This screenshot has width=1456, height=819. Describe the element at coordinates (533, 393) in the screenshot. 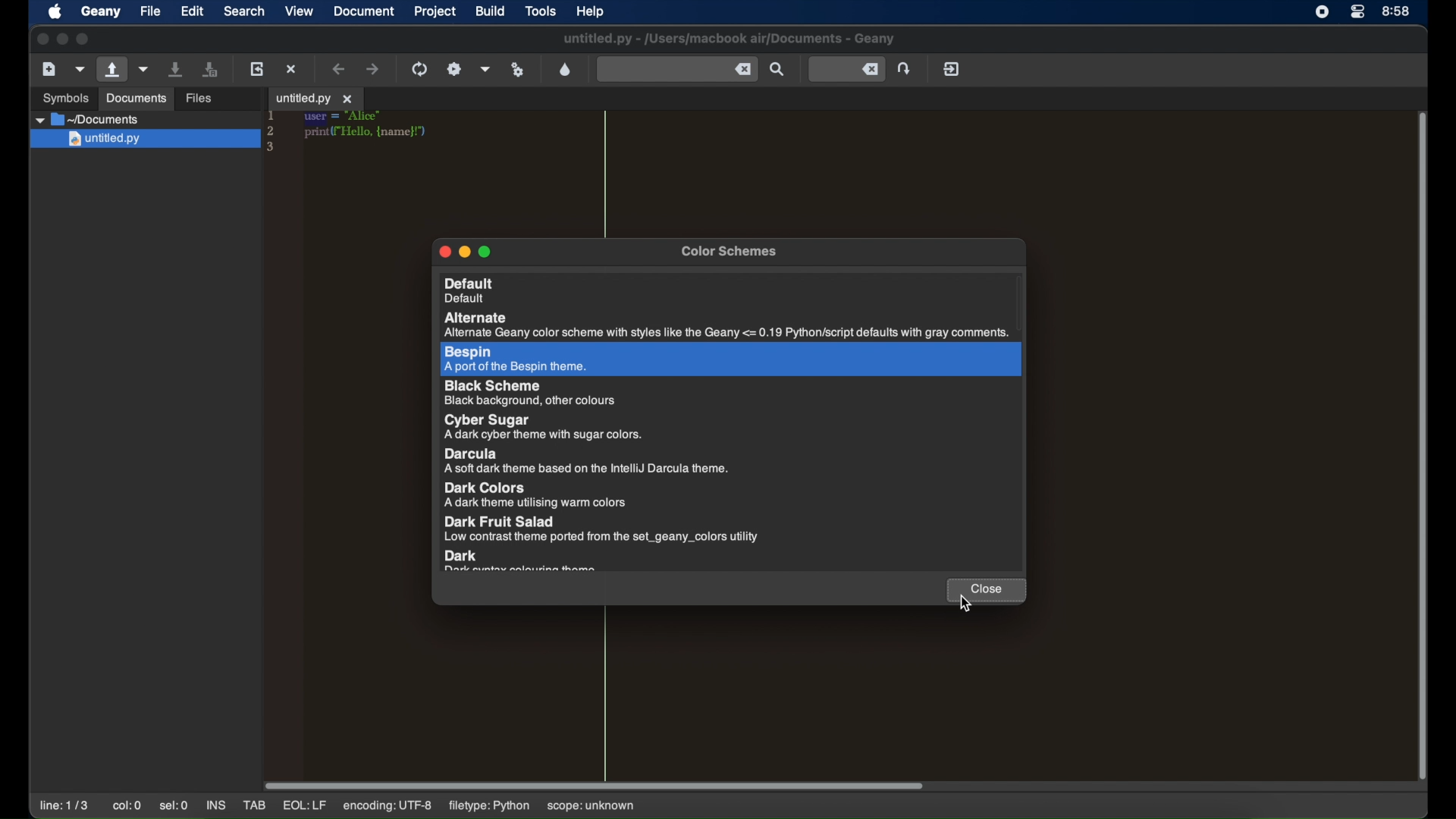

I see `black scheme` at that location.